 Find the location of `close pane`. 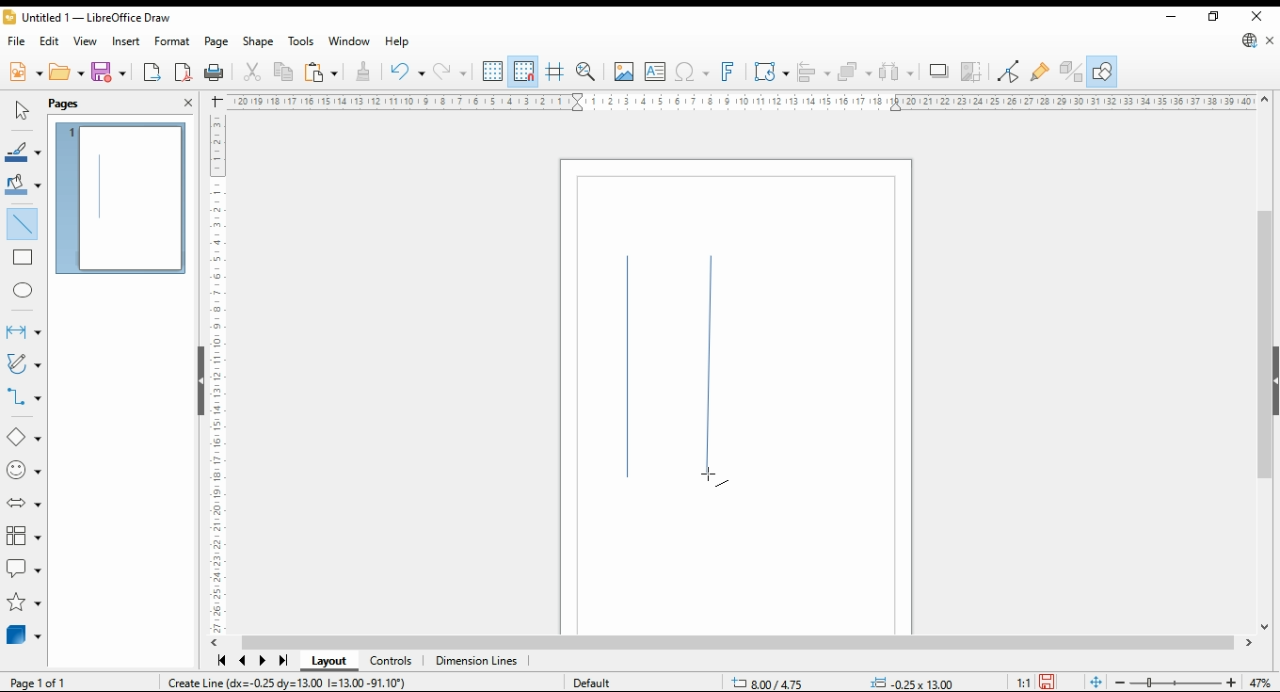

close pane is located at coordinates (187, 101).